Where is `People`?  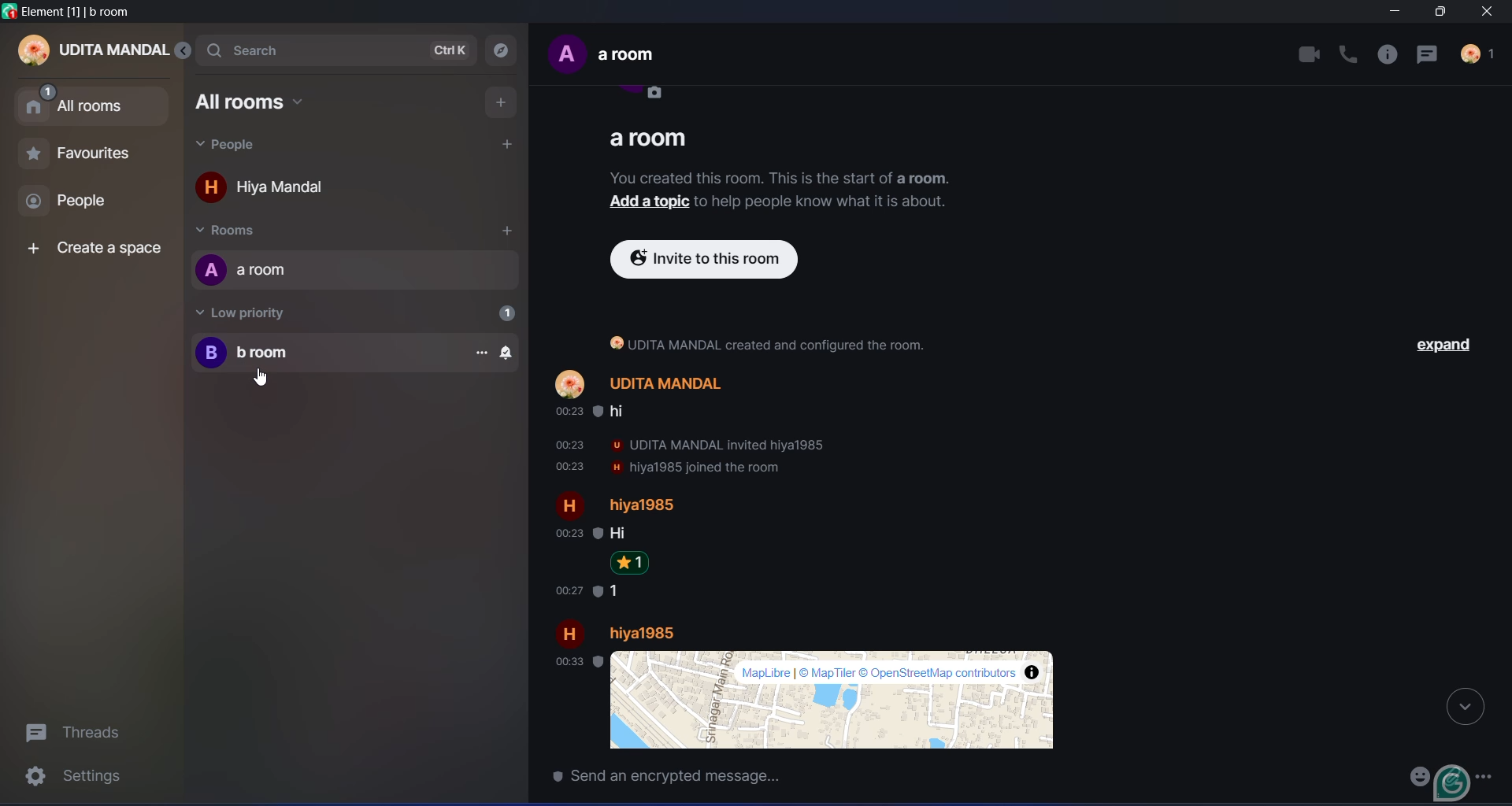 People is located at coordinates (232, 146).